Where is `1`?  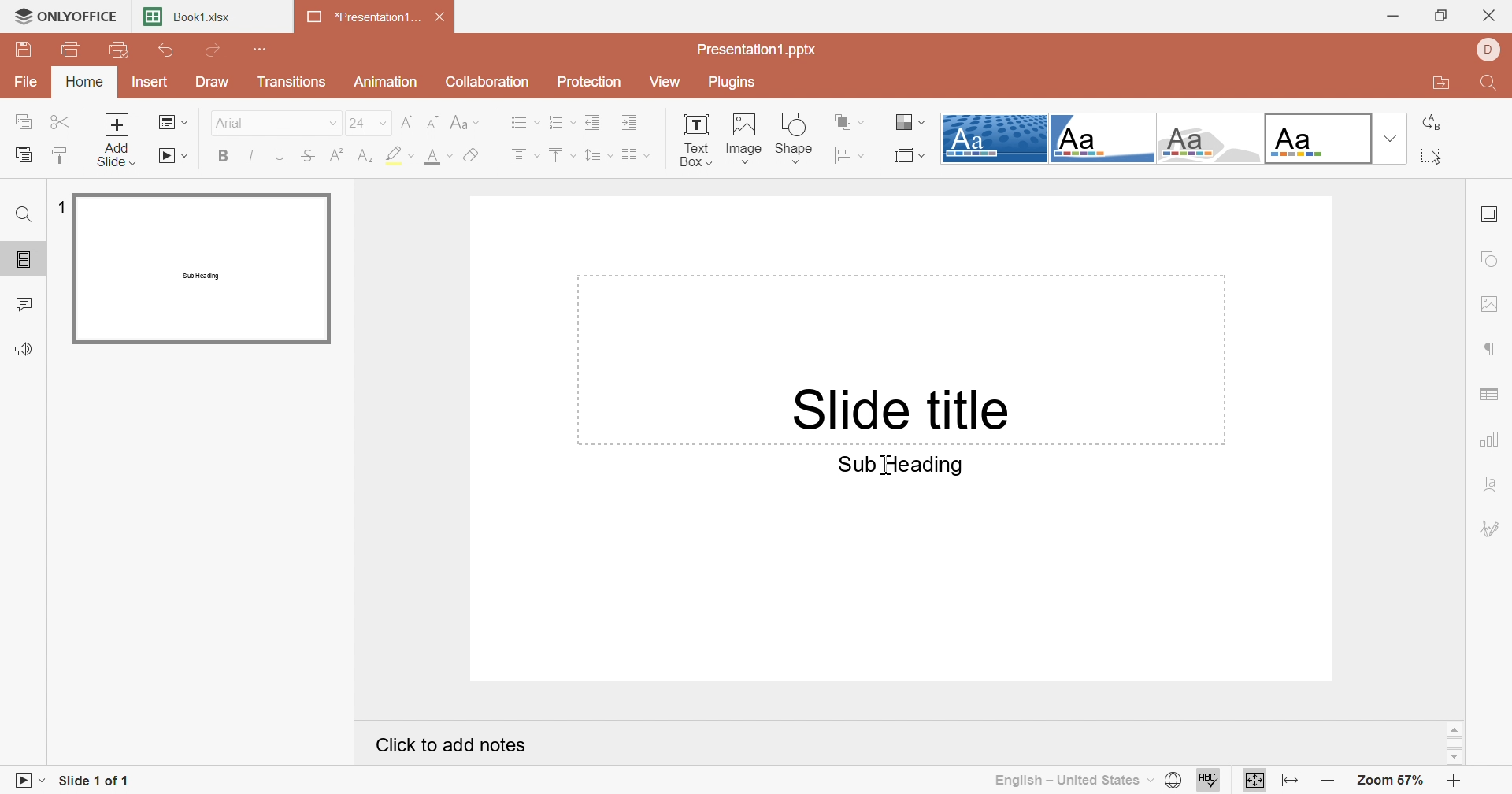 1 is located at coordinates (61, 203).